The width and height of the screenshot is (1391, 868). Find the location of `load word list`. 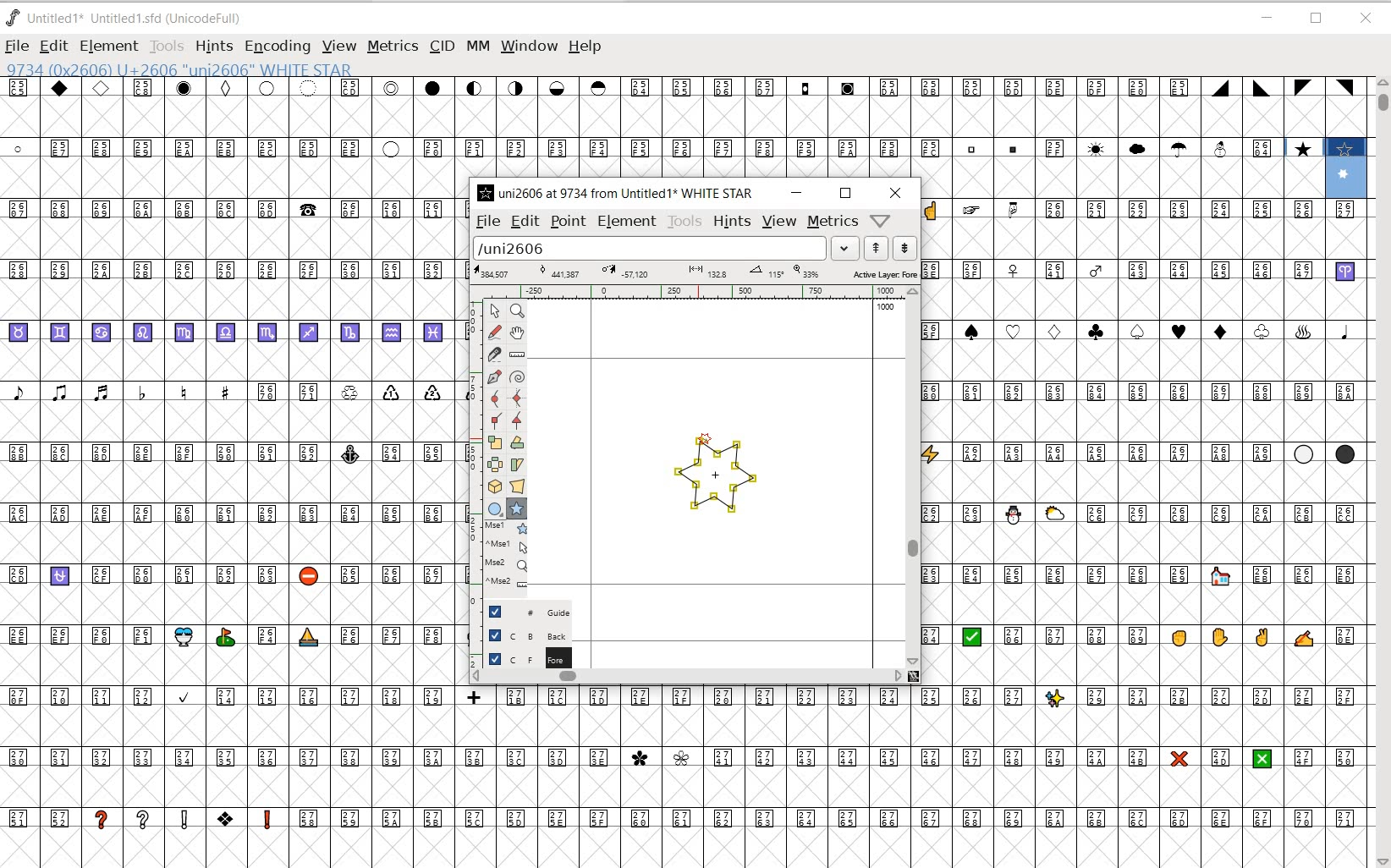

load word list is located at coordinates (663, 247).